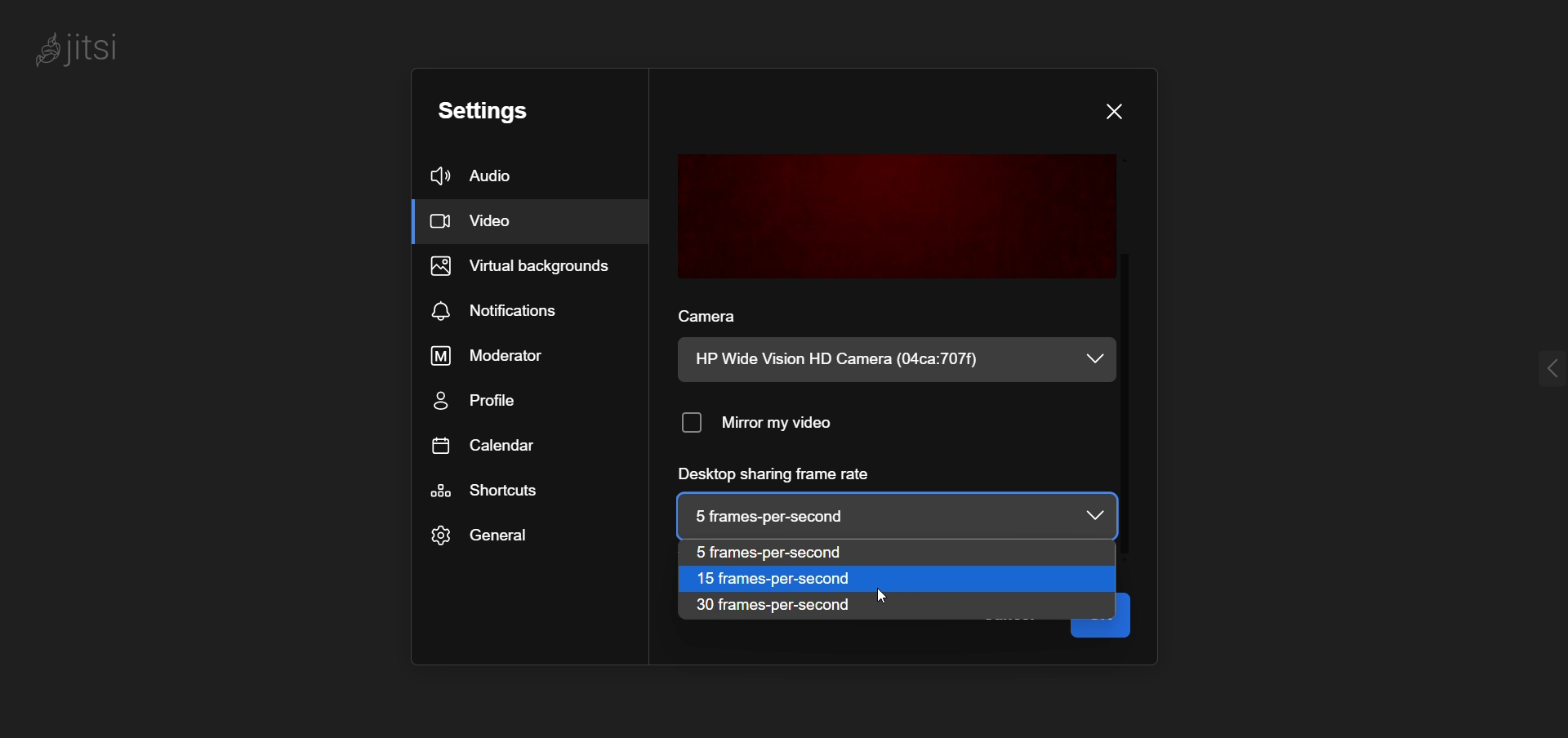  What do you see at coordinates (770, 419) in the screenshot?
I see `mirror my video` at bounding box center [770, 419].